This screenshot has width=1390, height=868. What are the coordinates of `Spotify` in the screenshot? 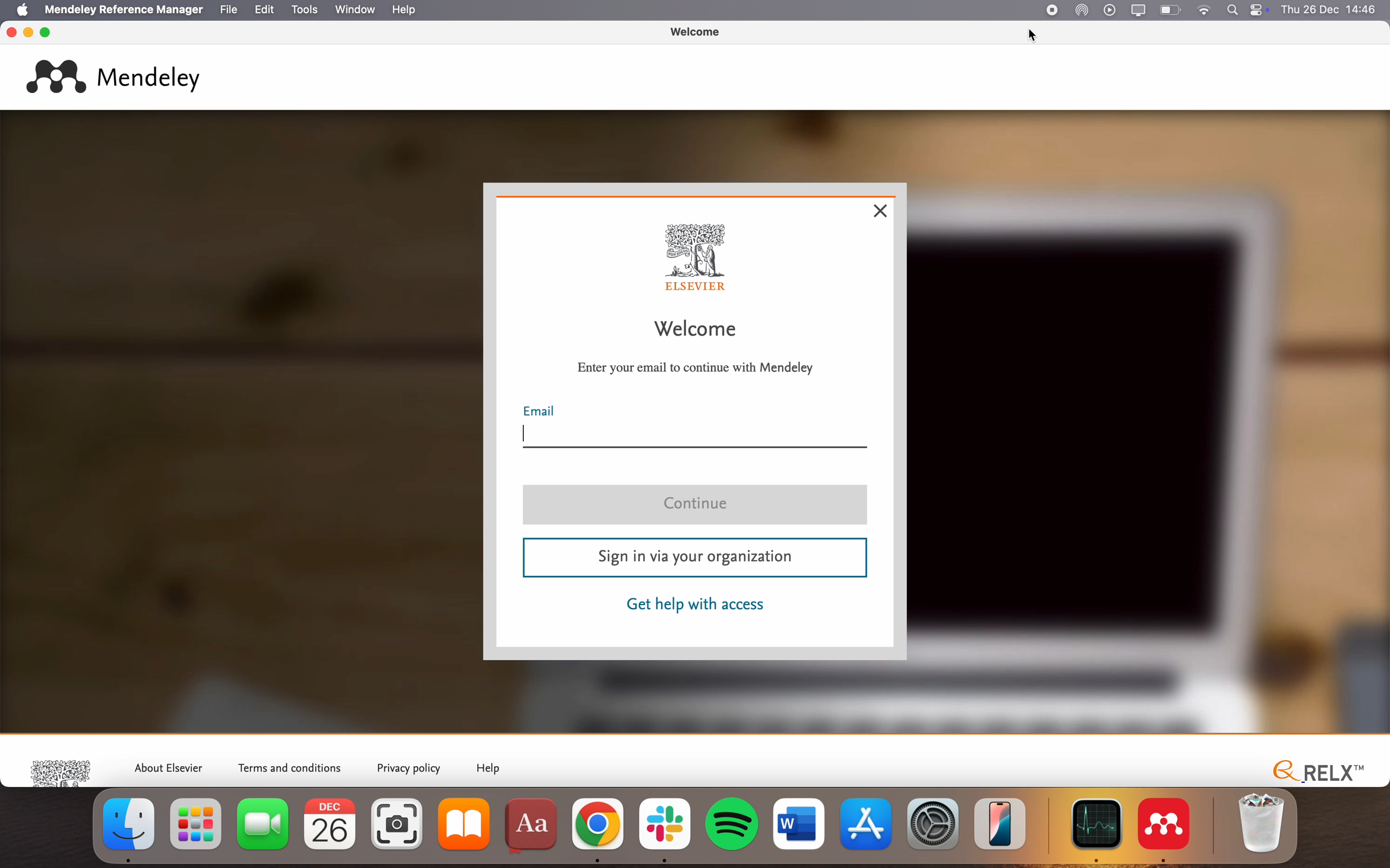 It's located at (734, 824).